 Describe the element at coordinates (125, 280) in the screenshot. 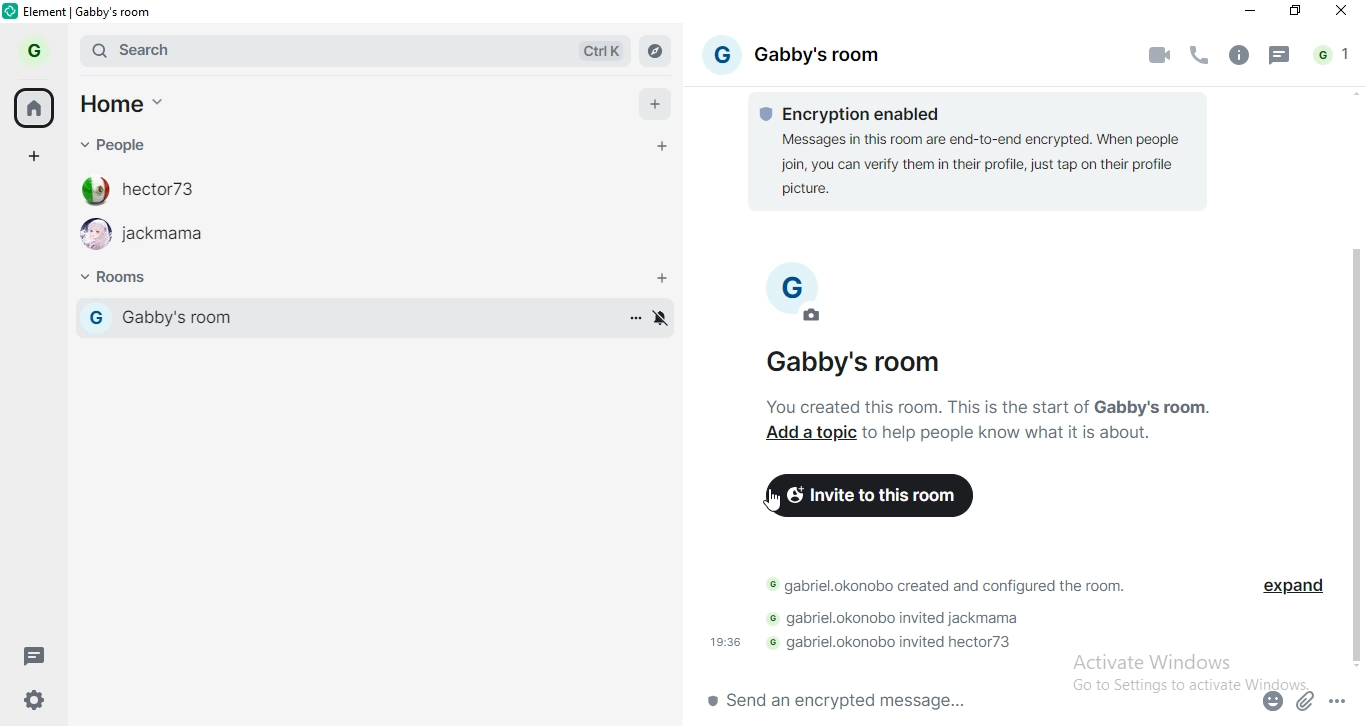

I see `rooms` at that location.